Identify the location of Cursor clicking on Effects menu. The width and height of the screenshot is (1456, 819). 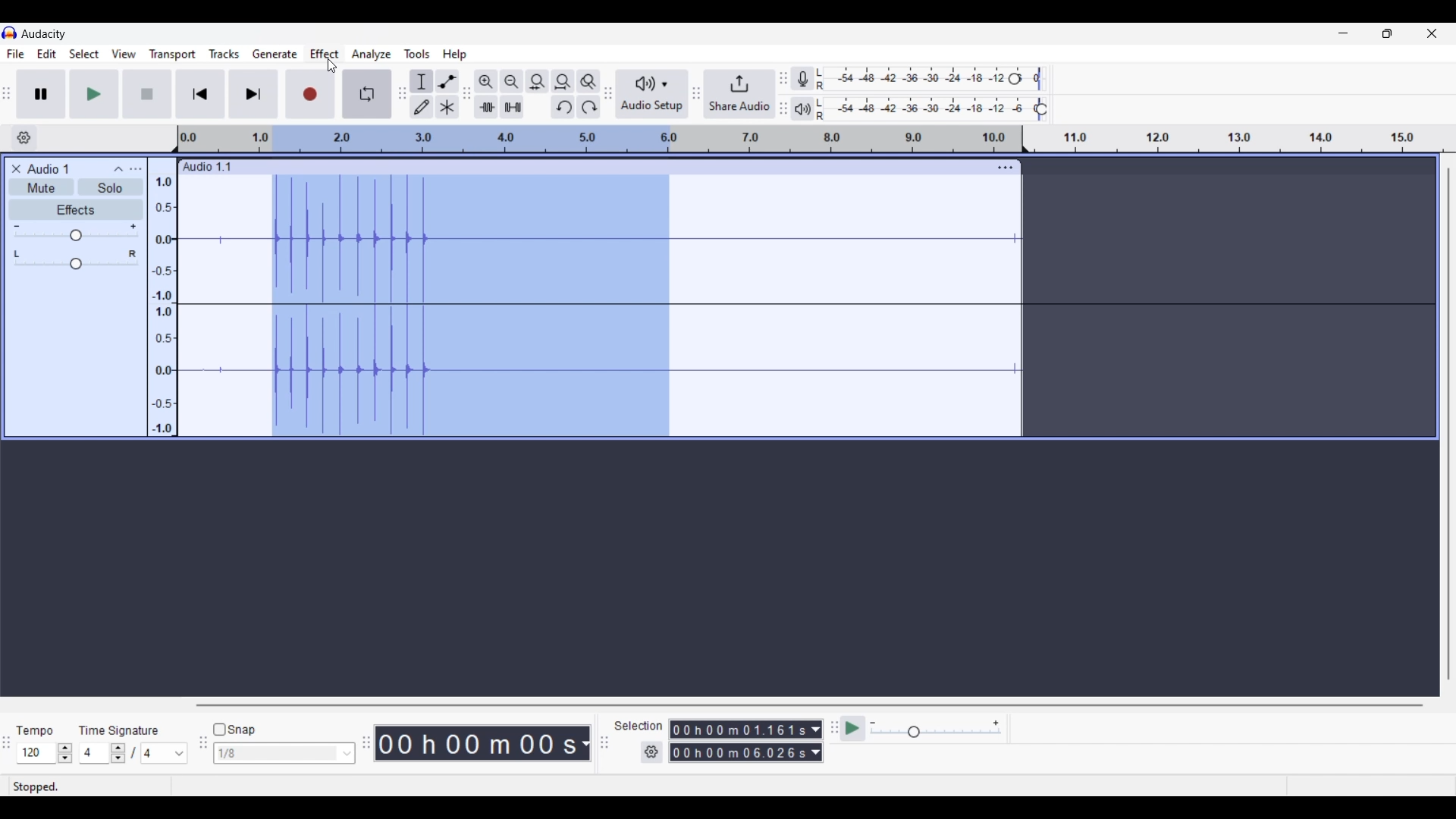
(331, 65).